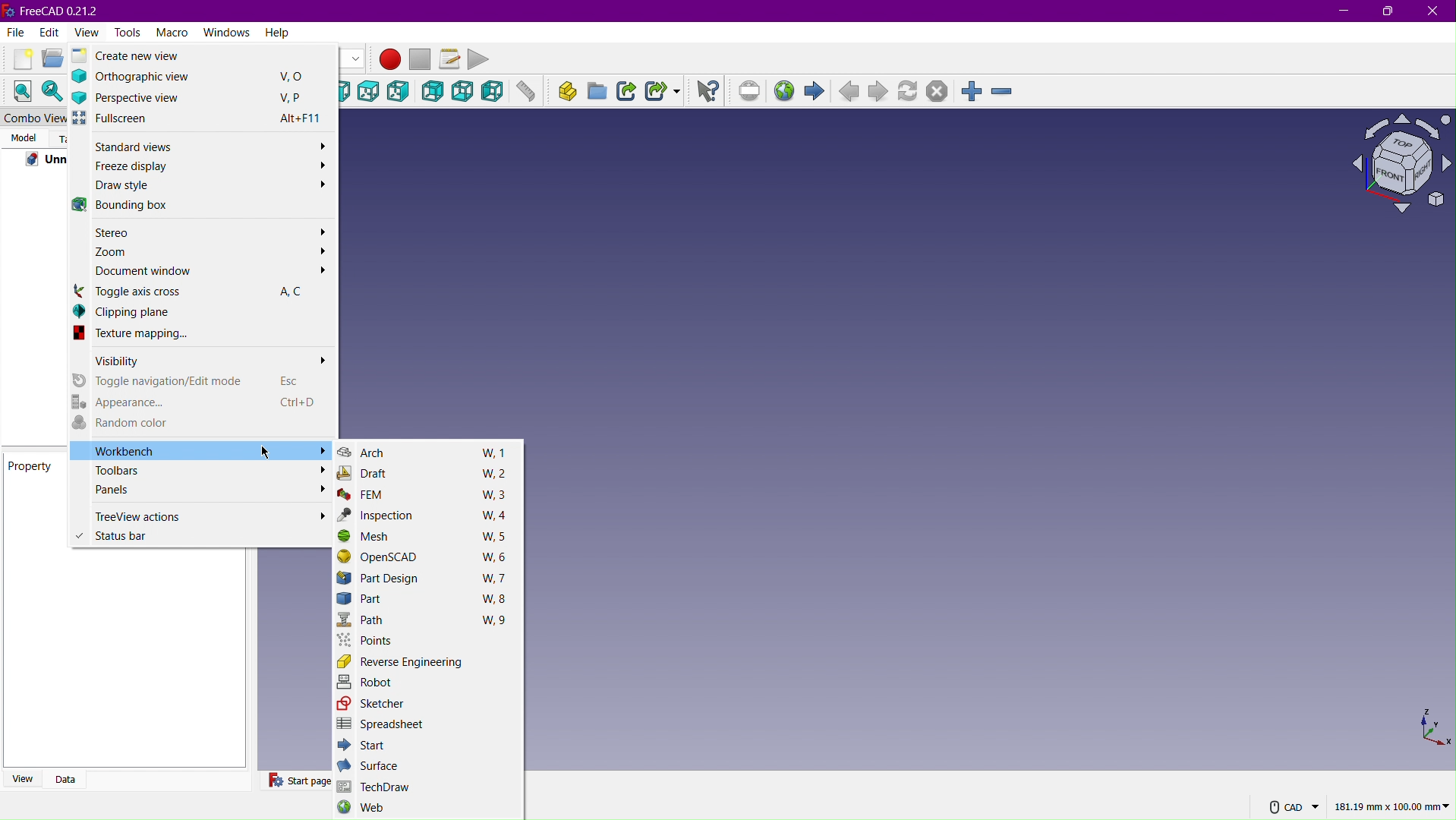 The height and width of the screenshot is (820, 1456). Describe the element at coordinates (1429, 727) in the screenshot. I see `XYZ view` at that location.